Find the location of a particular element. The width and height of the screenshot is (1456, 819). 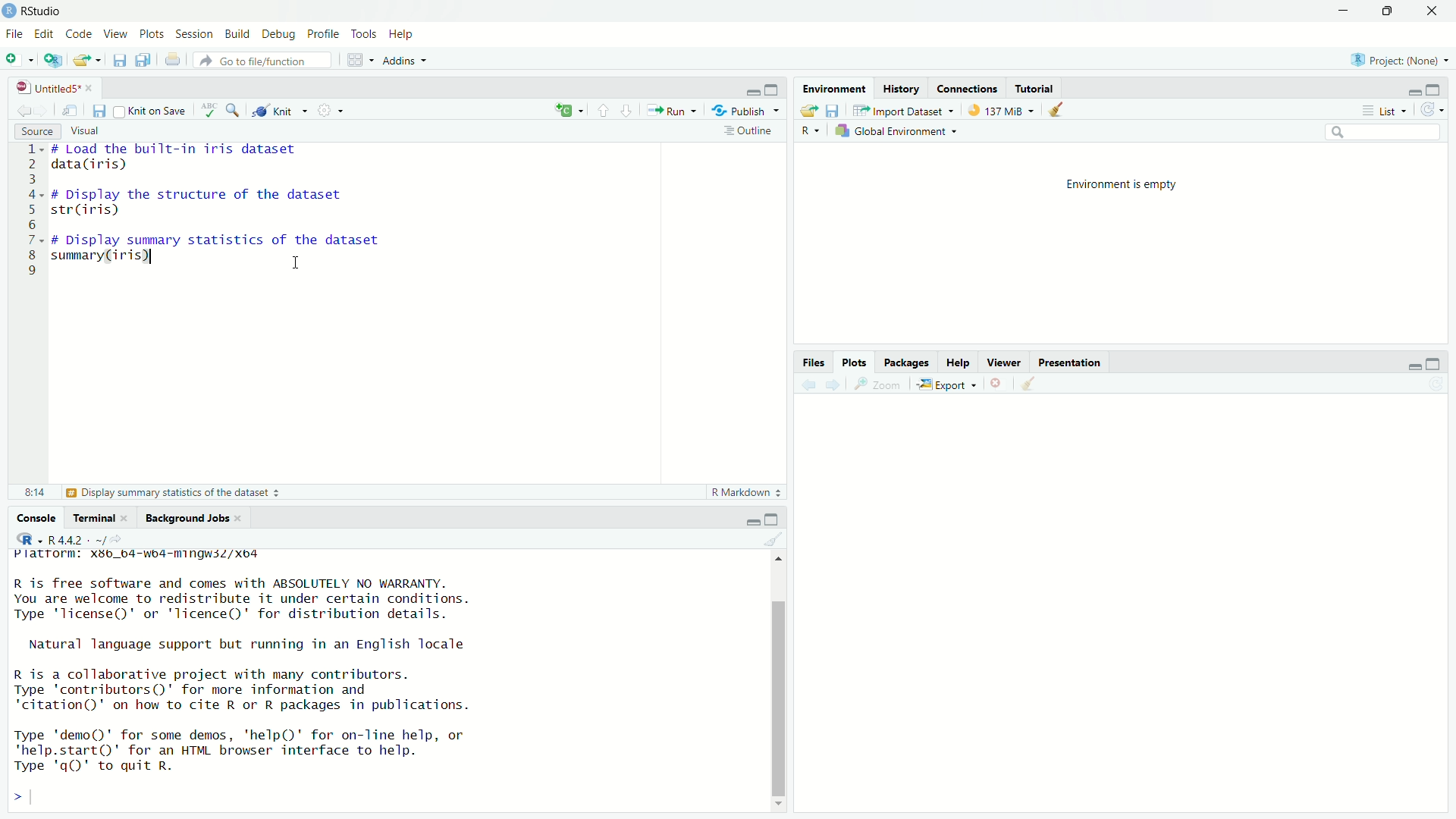

Next plot is located at coordinates (832, 384).